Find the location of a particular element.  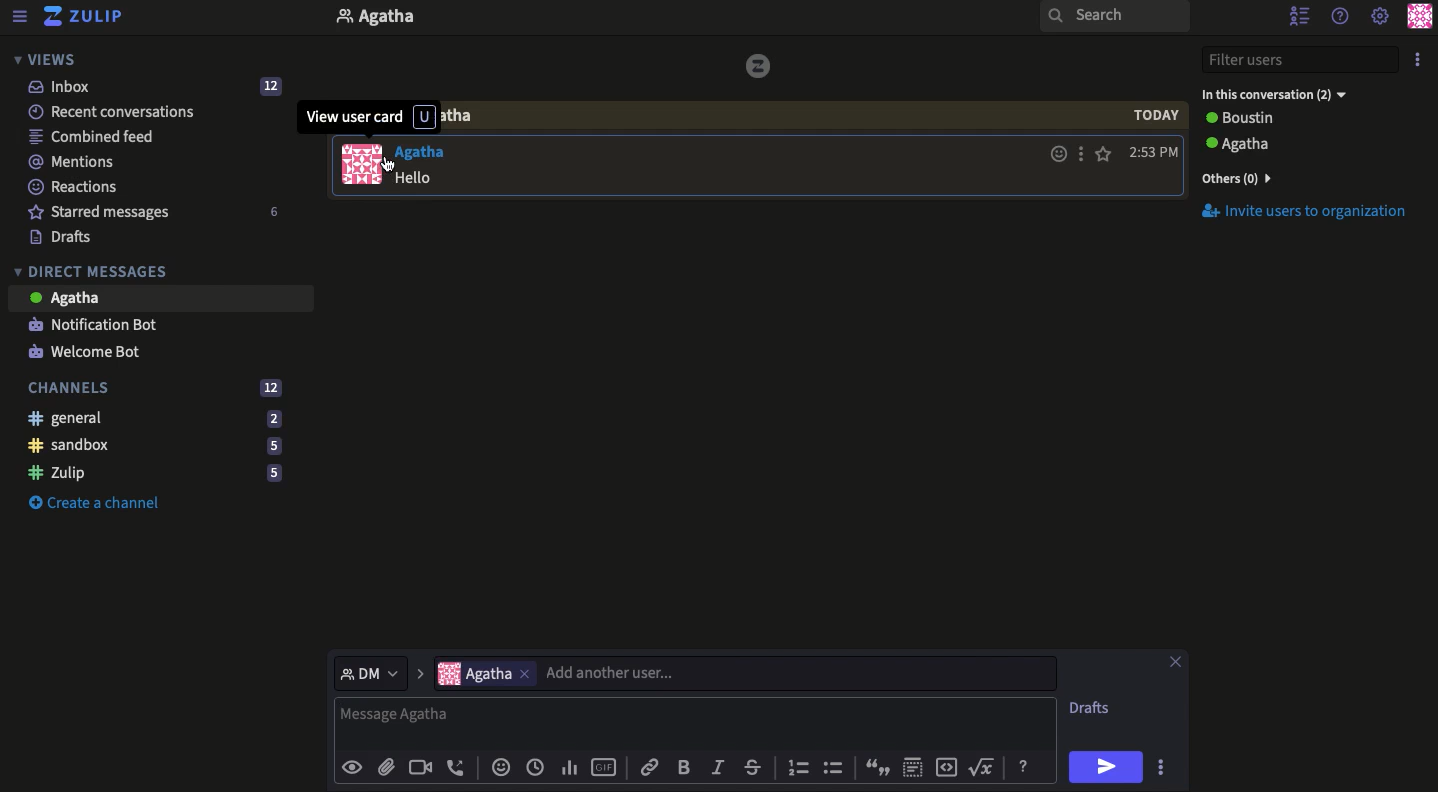

Spoiler is located at coordinates (916, 764).